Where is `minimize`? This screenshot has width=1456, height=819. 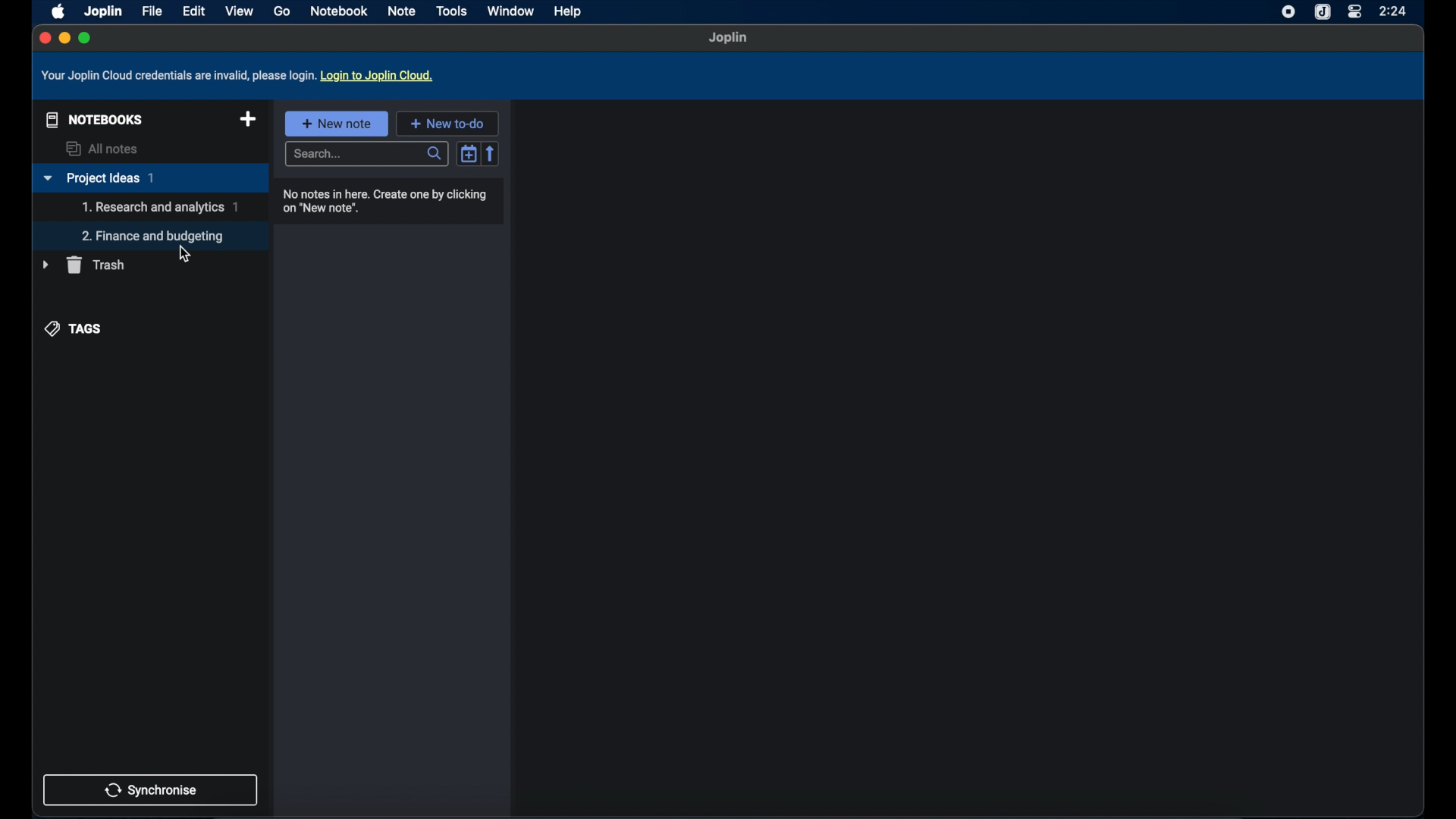 minimize is located at coordinates (64, 39).